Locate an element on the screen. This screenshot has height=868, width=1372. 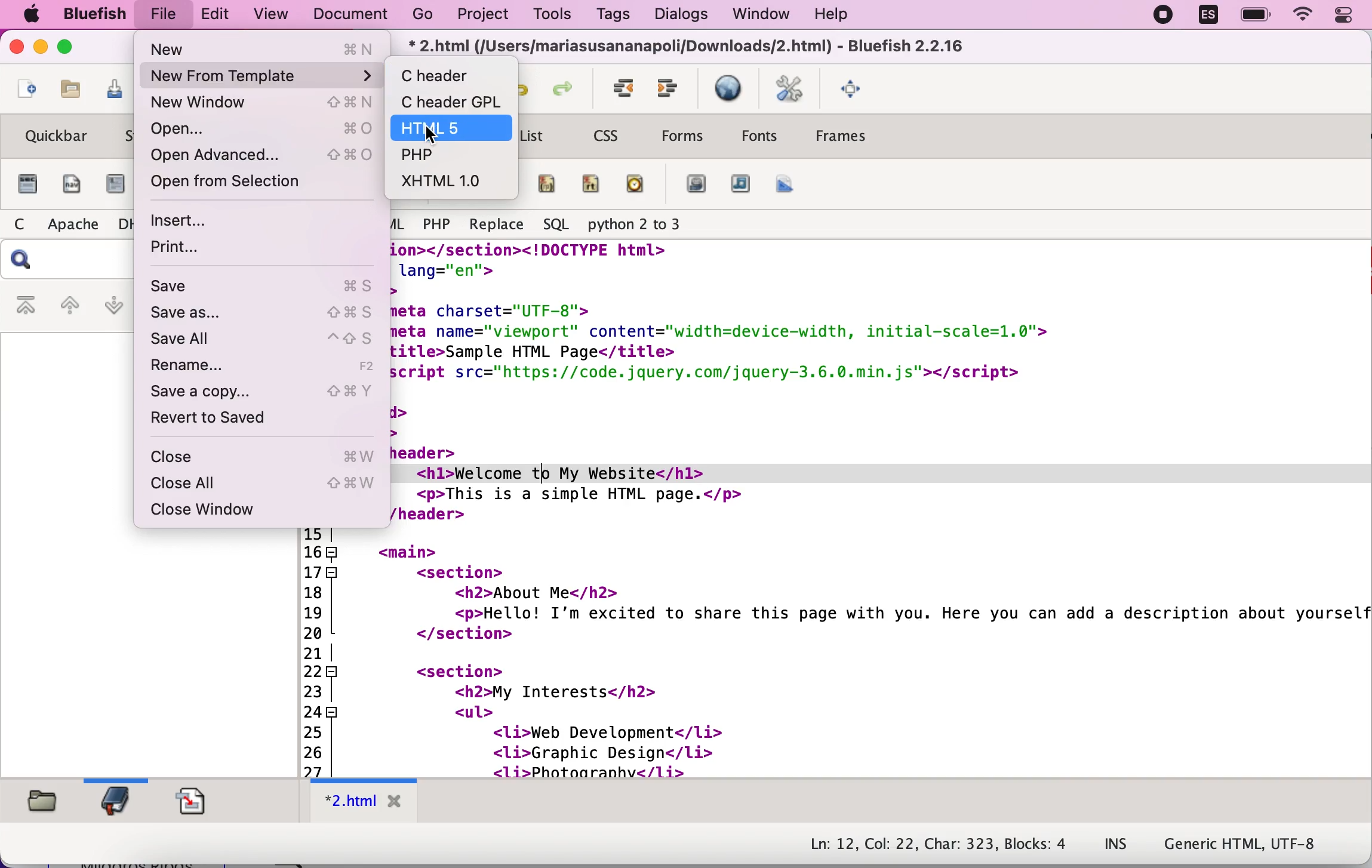
revert to saved is located at coordinates (230, 422).